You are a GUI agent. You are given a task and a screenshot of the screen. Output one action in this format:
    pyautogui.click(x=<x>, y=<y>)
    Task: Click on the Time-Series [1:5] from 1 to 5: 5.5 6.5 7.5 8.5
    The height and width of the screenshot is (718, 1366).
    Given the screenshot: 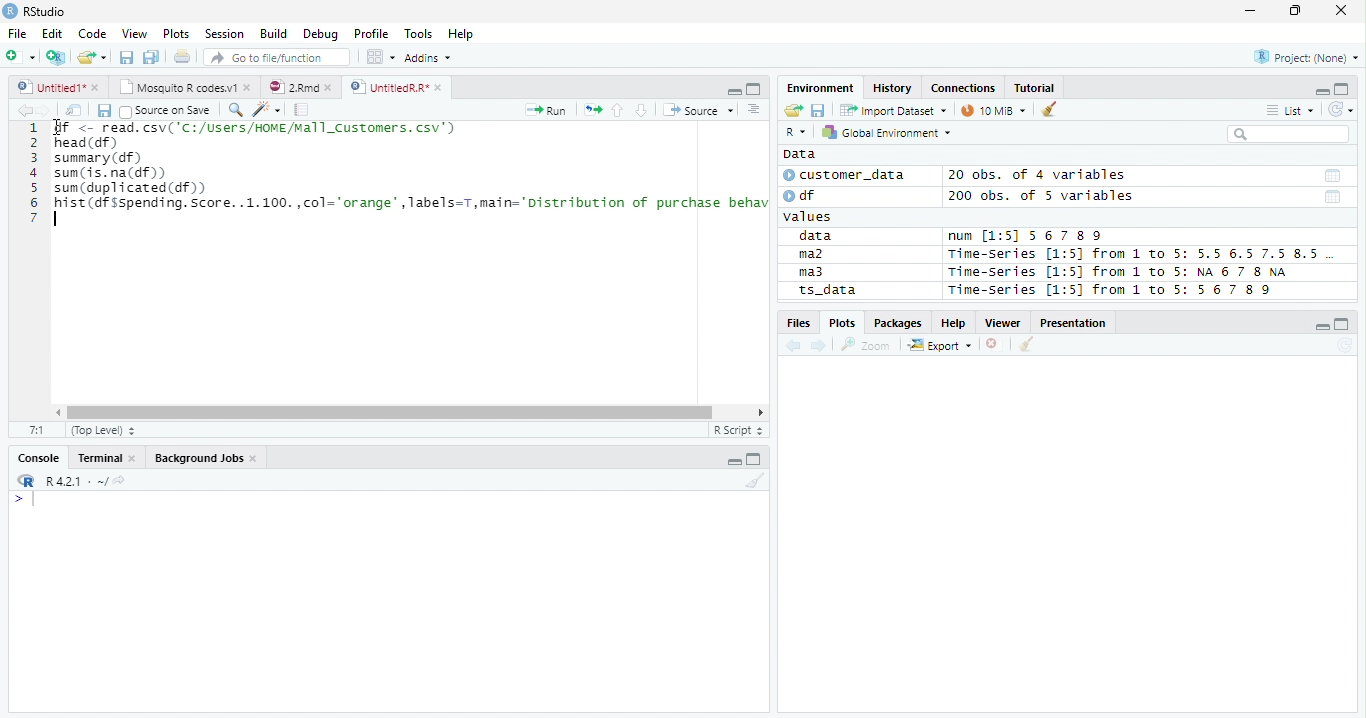 What is the action you would take?
    pyautogui.click(x=1137, y=255)
    